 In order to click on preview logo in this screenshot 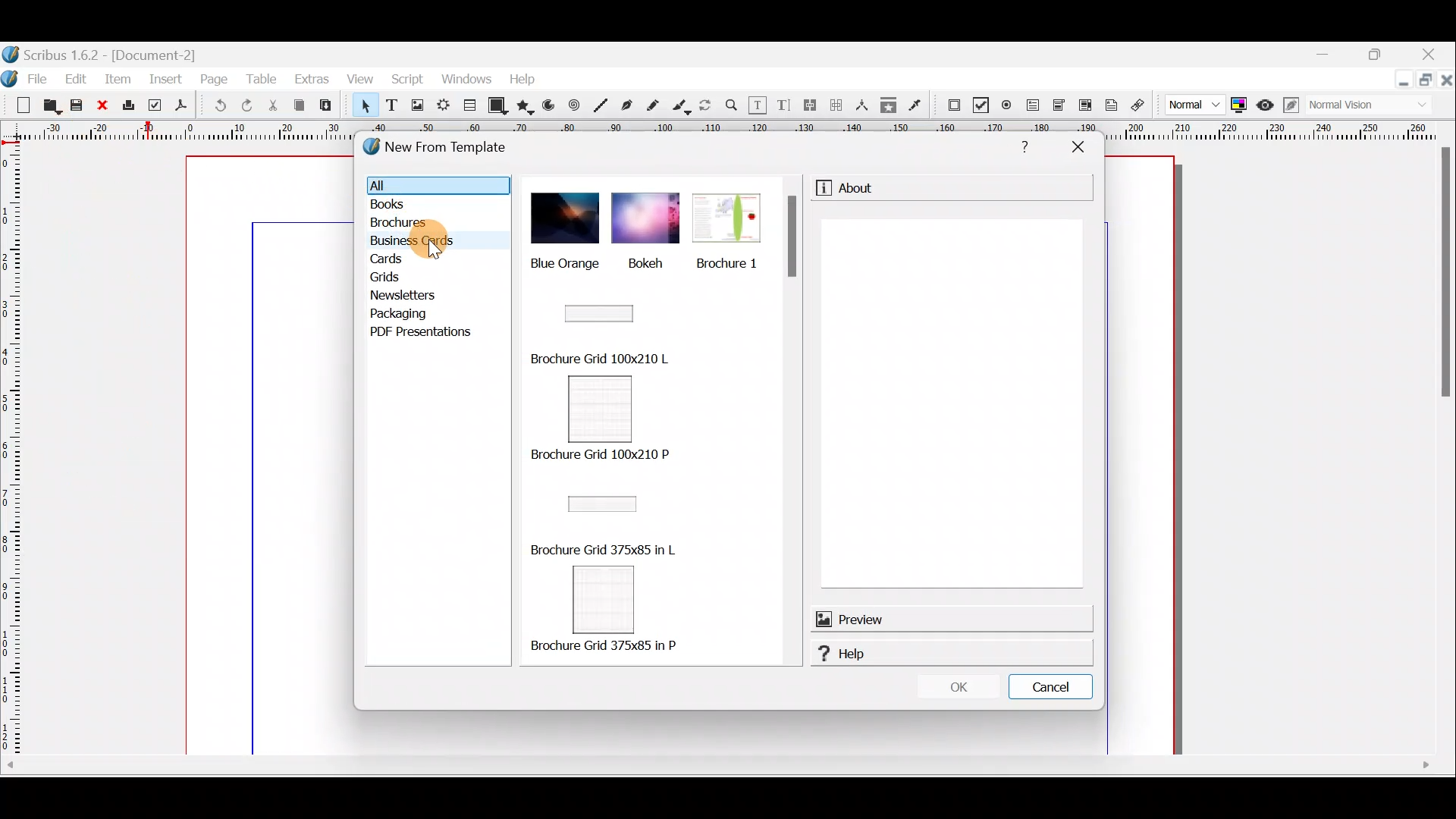, I will do `click(822, 618)`.